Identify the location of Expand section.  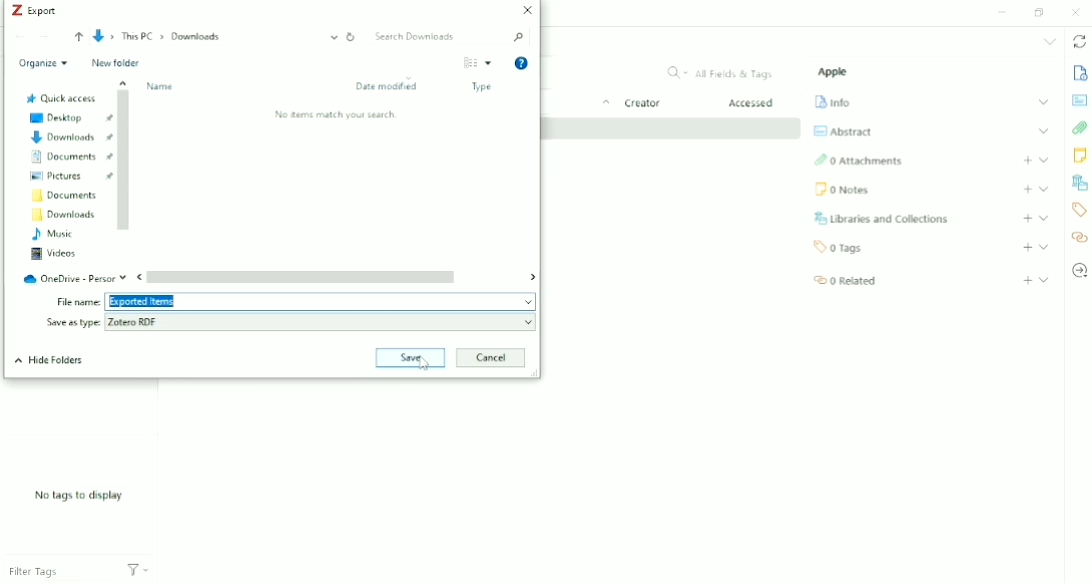
(1044, 218).